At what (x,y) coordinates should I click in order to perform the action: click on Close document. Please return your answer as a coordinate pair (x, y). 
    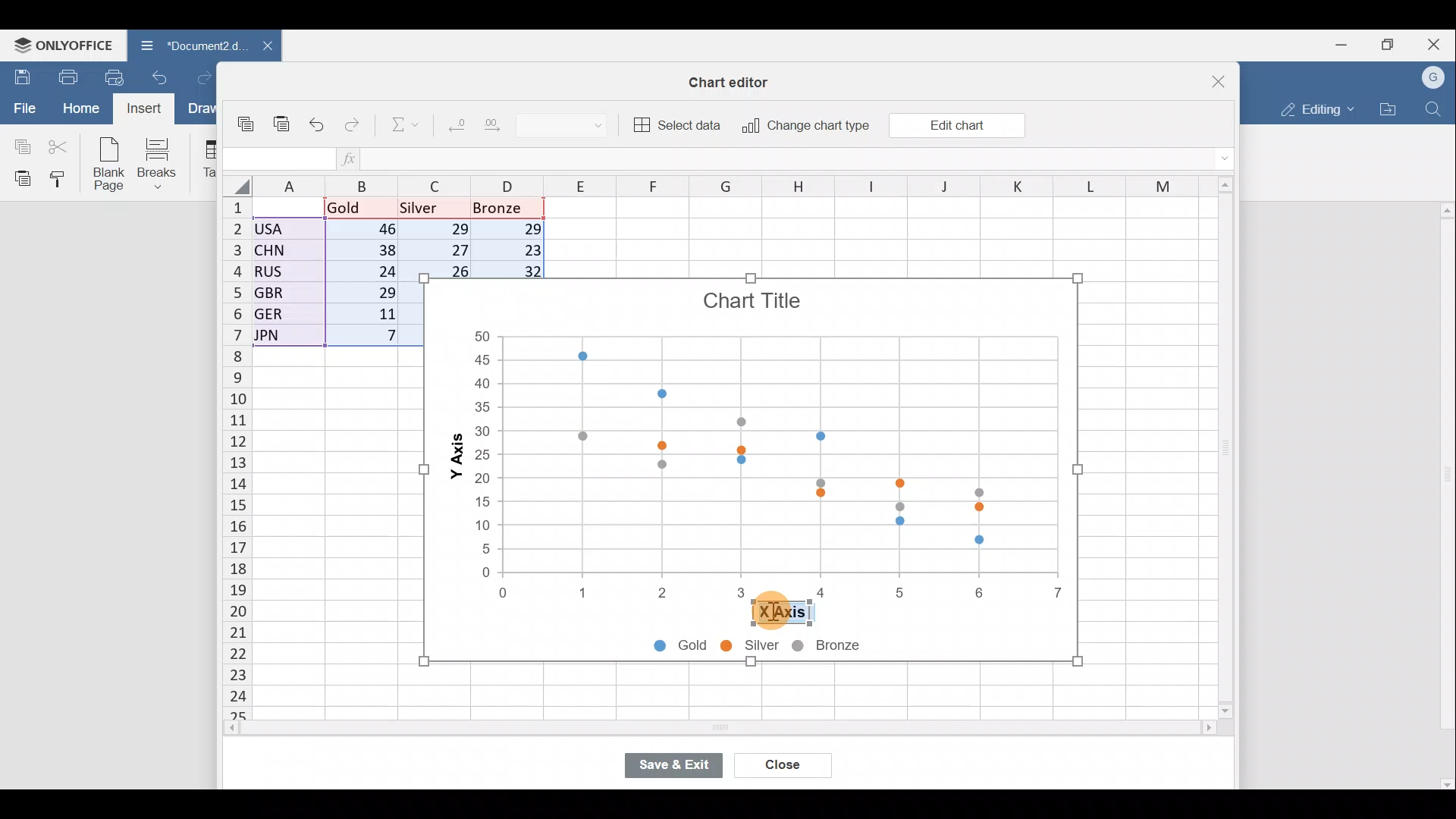
    Looking at the image, I should click on (259, 47).